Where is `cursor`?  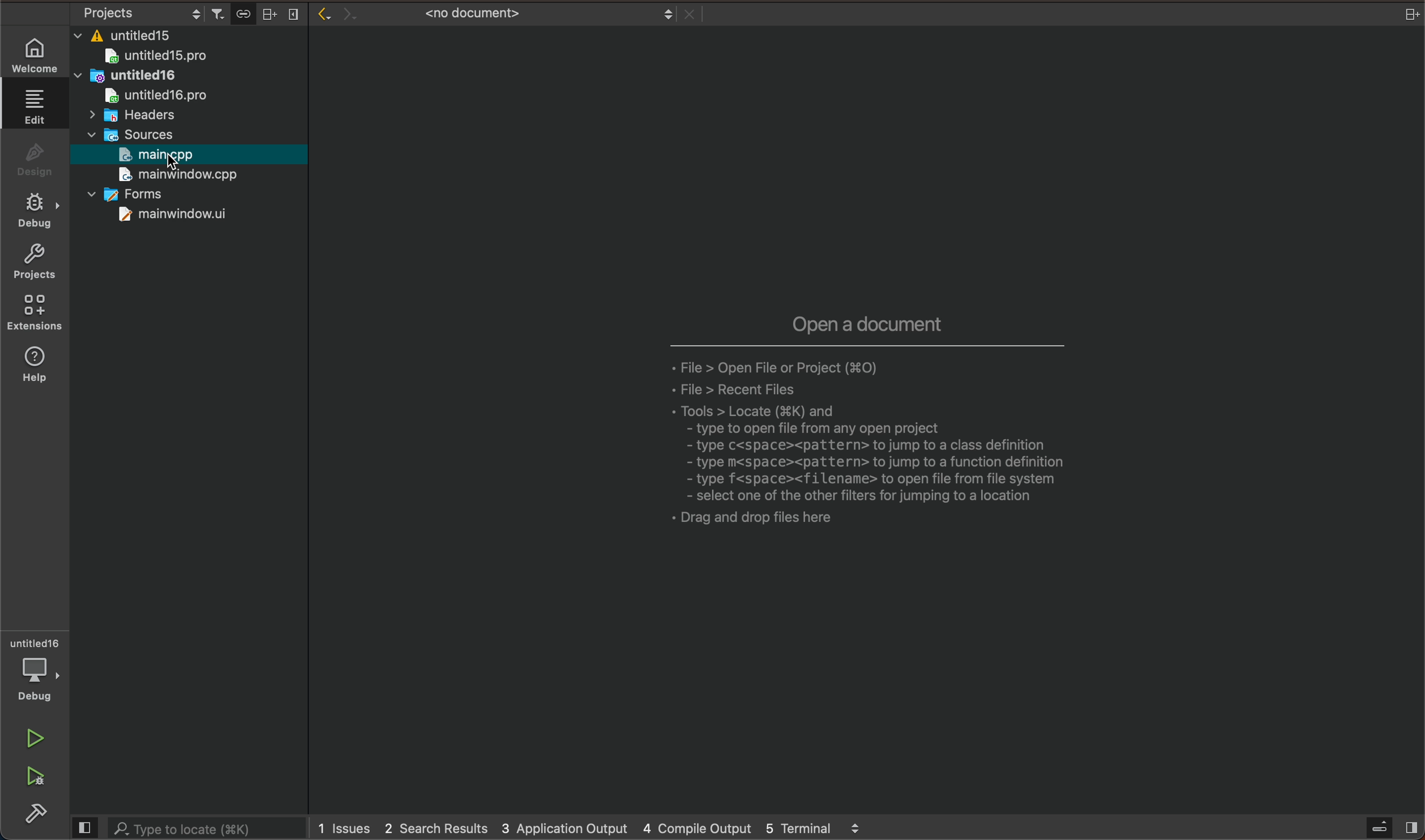
cursor is located at coordinates (178, 162).